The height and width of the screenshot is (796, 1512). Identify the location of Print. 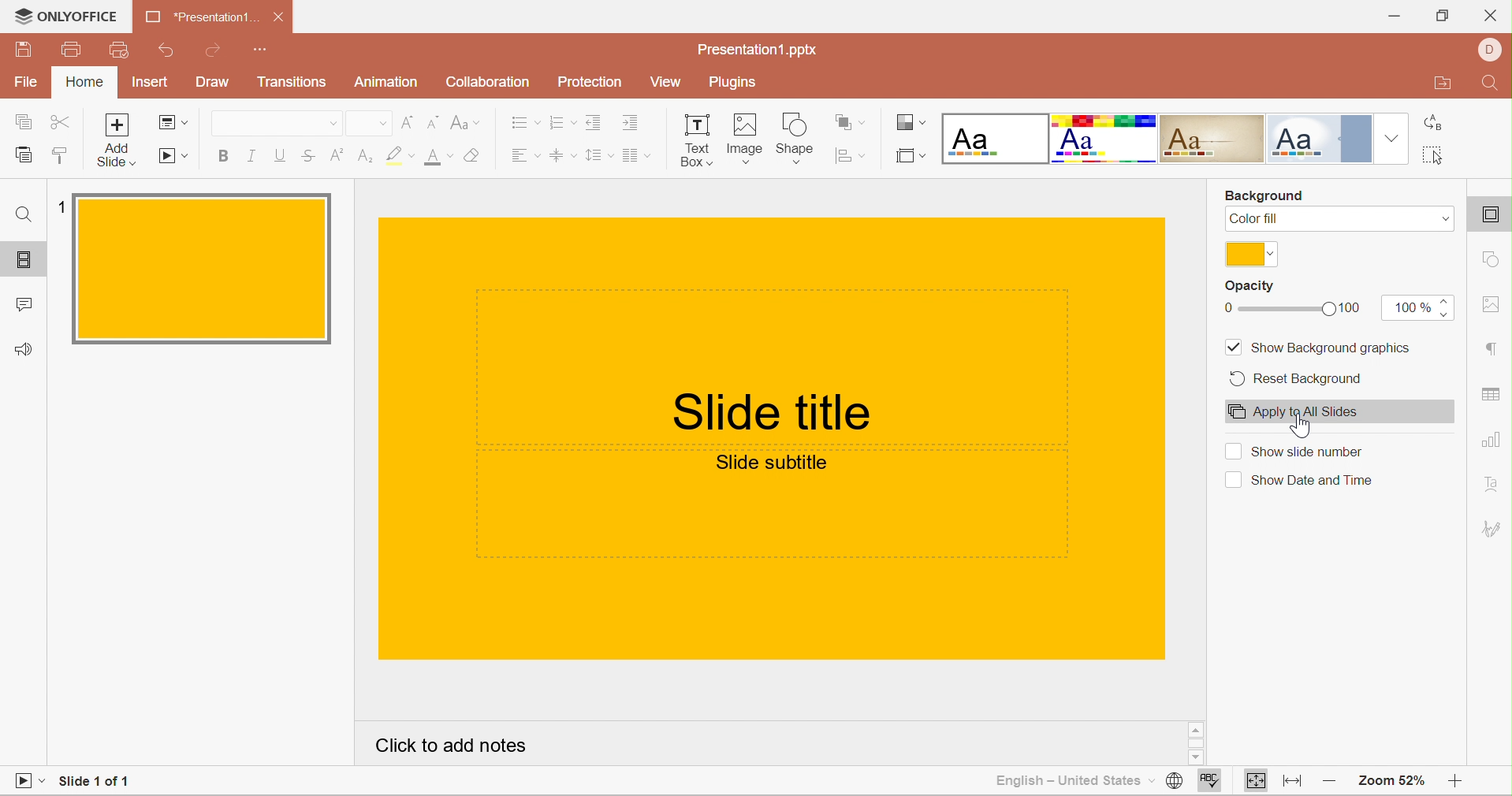
(69, 50).